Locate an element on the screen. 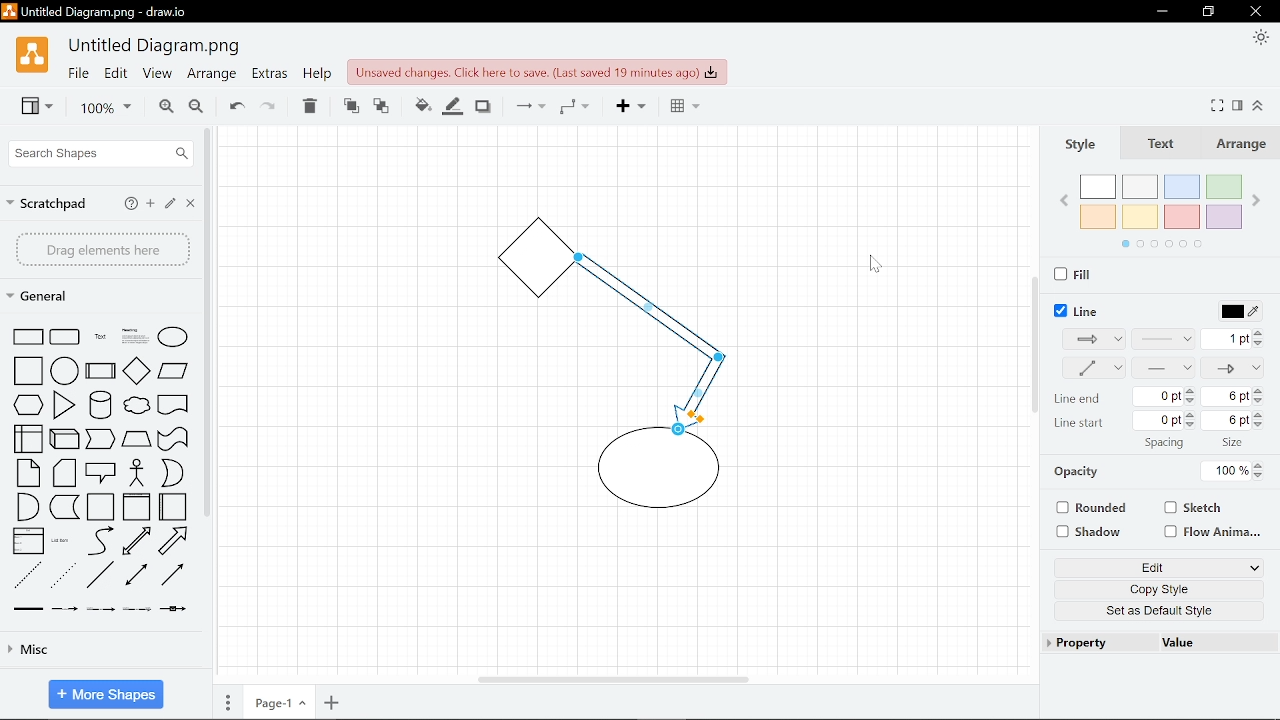  shape is located at coordinates (66, 370).